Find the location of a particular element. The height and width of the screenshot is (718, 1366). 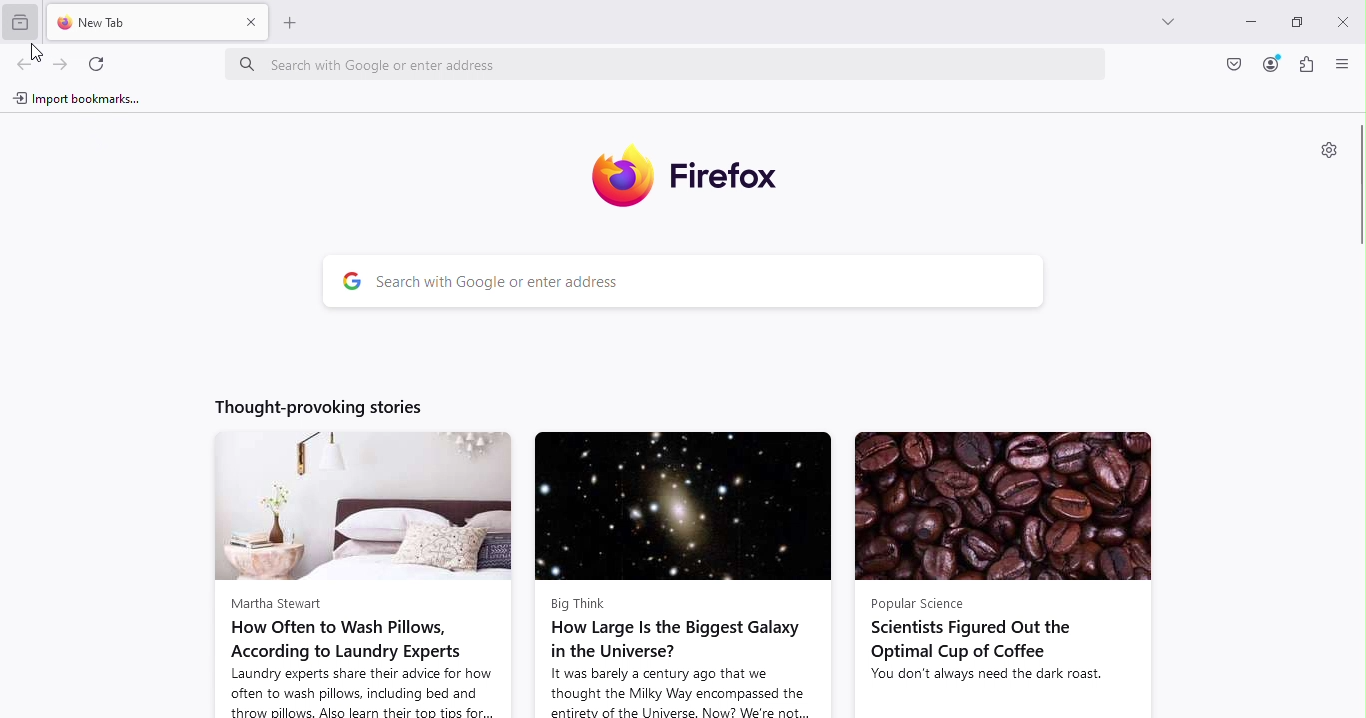

View recent browsing across windows and devices is located at coordinates (20, 21).